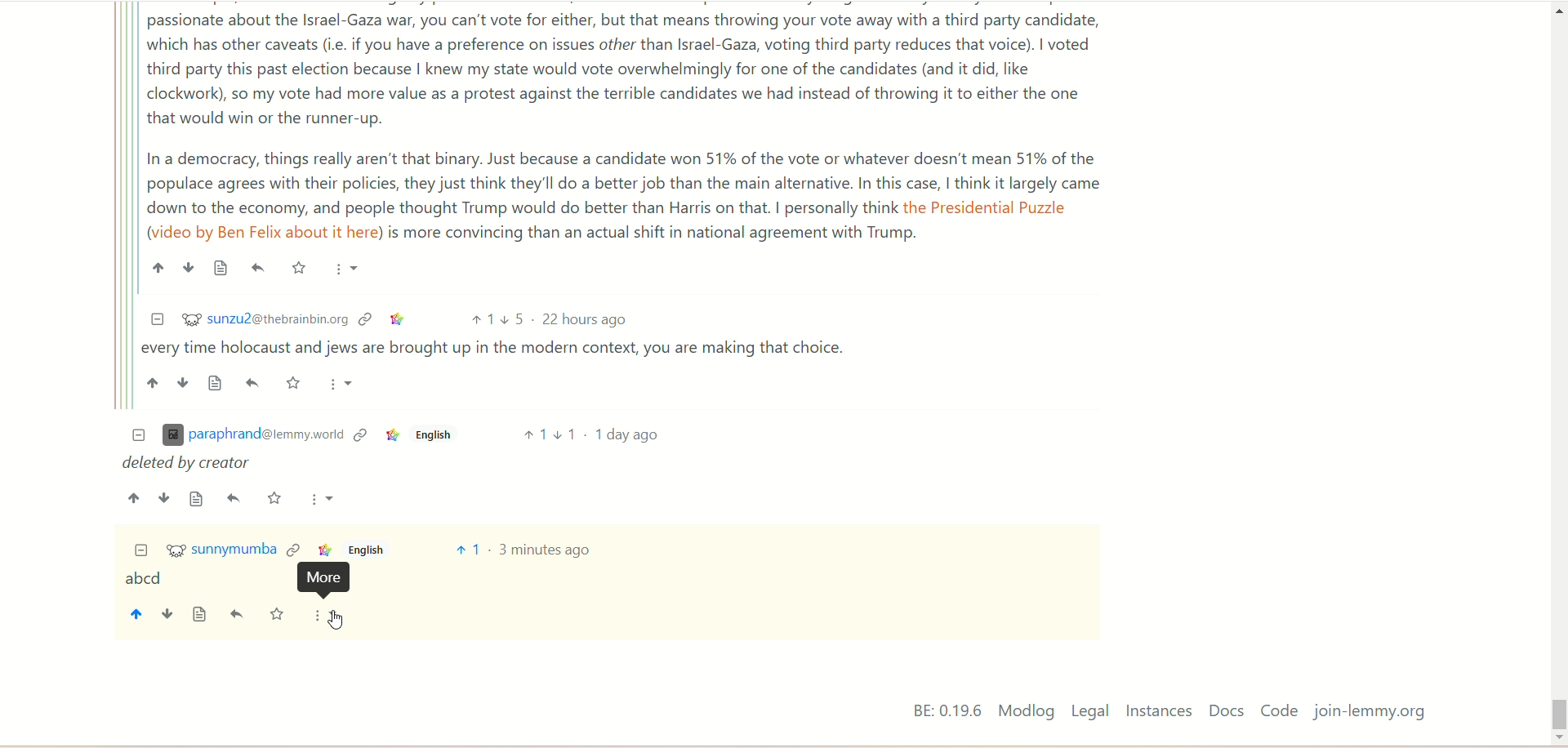 The width and height of the screenshot is (1568, 748). Describe the element at coordinates (513, 319) in the screenshot. I see `Downvote 5` at that location.